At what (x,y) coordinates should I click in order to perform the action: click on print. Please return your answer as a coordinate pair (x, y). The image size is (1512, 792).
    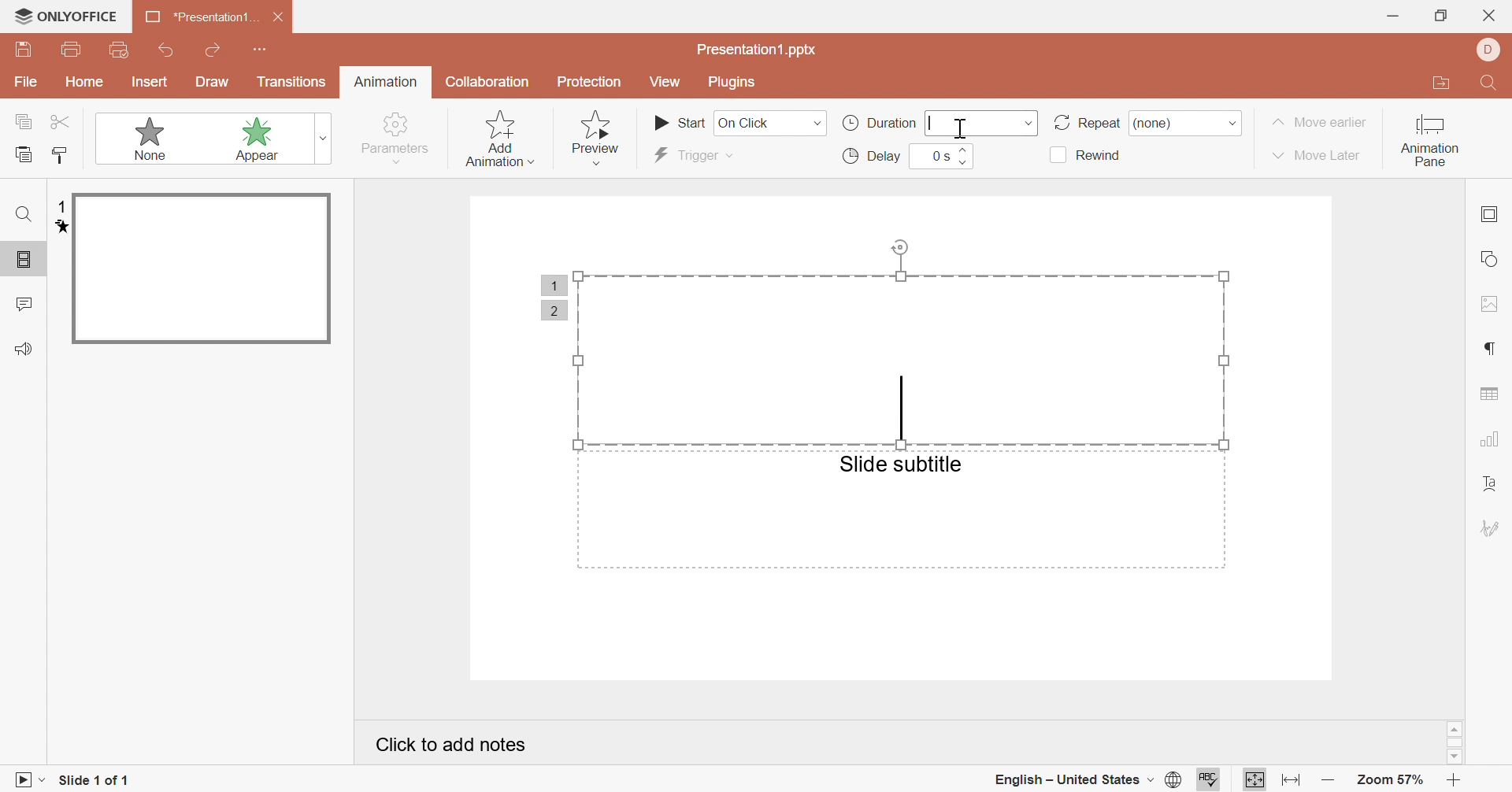
    Looking at the image, I should click on (73, 48).